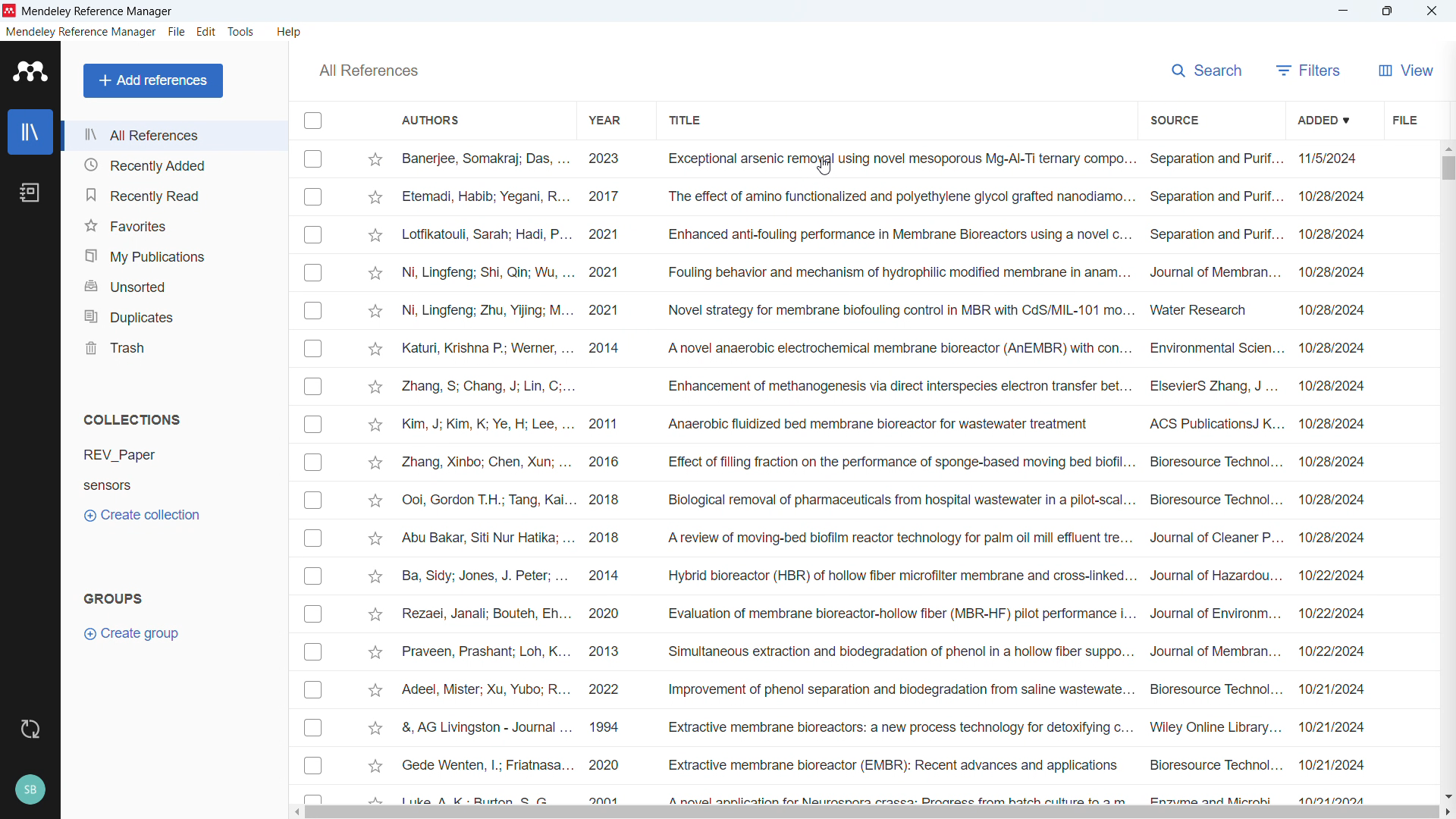 The height and width of the screenshot is (819, 1456). I want to click on groups, so click(111, 597).